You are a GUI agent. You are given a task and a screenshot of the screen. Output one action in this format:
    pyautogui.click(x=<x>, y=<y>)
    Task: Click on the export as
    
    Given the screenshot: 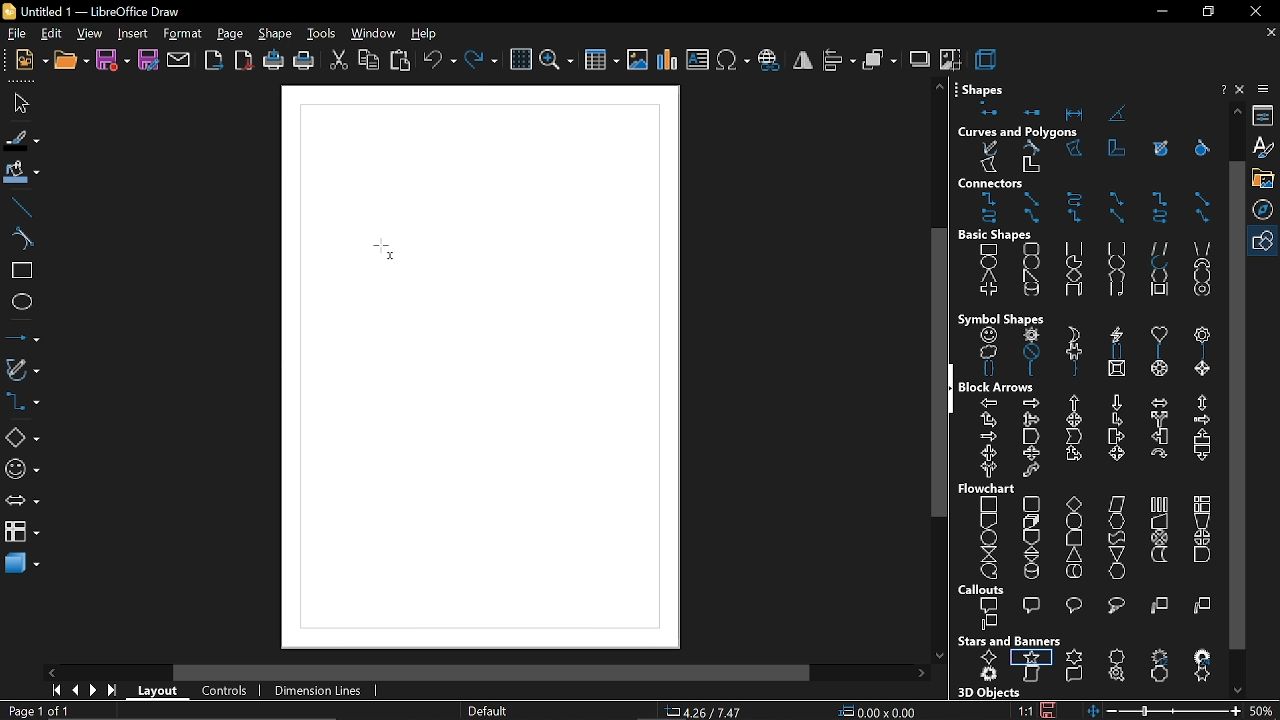 What is the action you would take?
    pyautogui.click(x=242, y=61)
    